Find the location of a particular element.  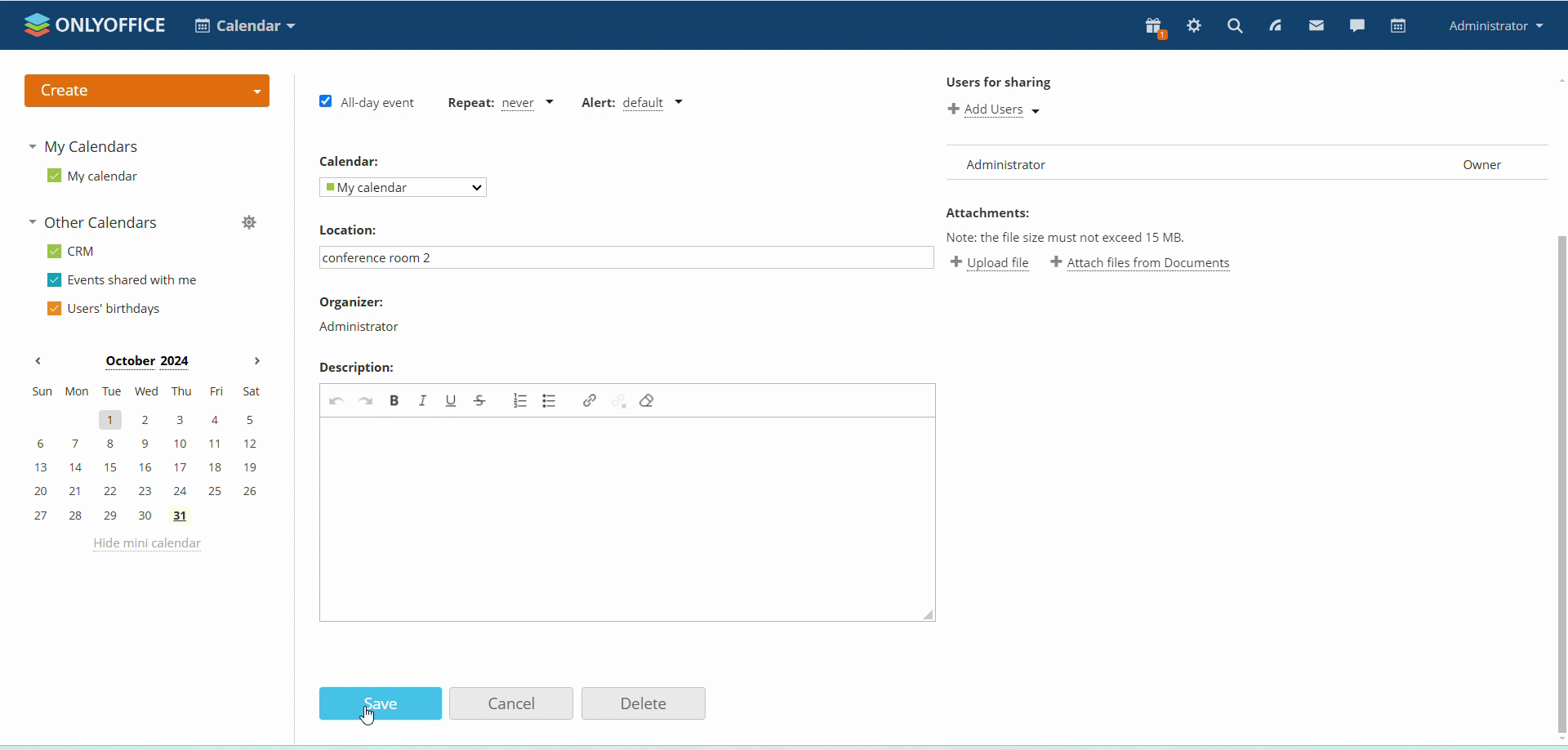

redo is located at coordinates (365, 400).